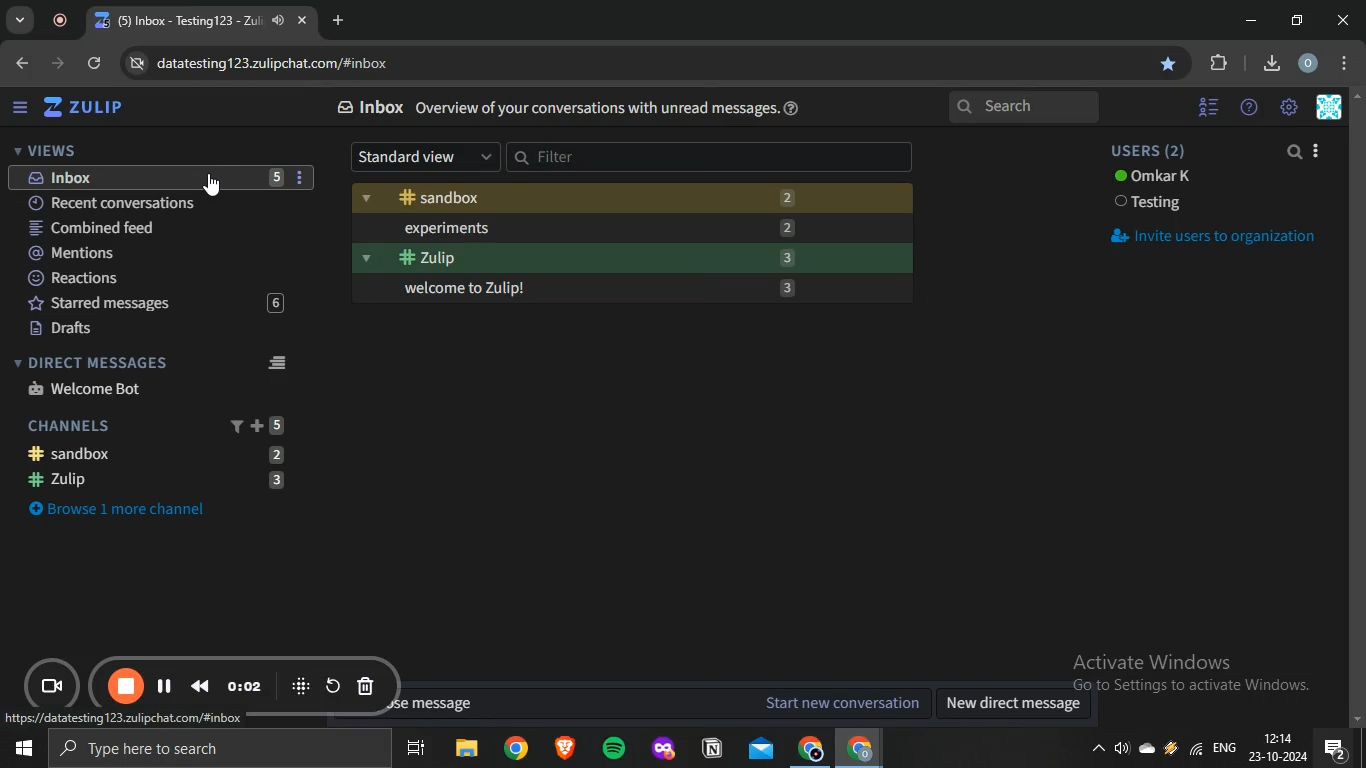 The width and height of the screenshot is (1366, 768). Describe the element at coordinates (1123, 752) in the screenshot. I see `volume` at that location.